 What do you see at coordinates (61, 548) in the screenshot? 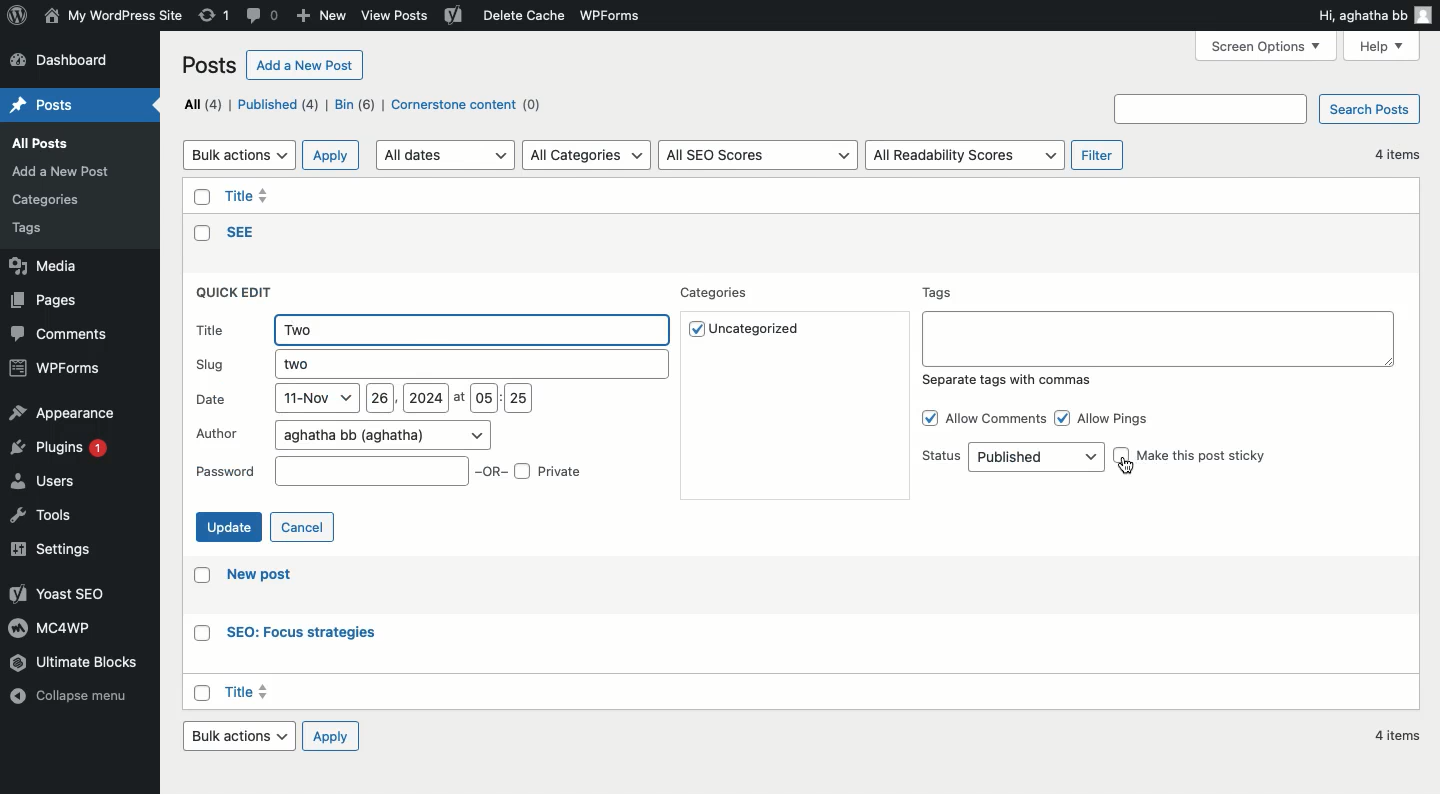
I see `Settings` at bounding box center [61, 548].